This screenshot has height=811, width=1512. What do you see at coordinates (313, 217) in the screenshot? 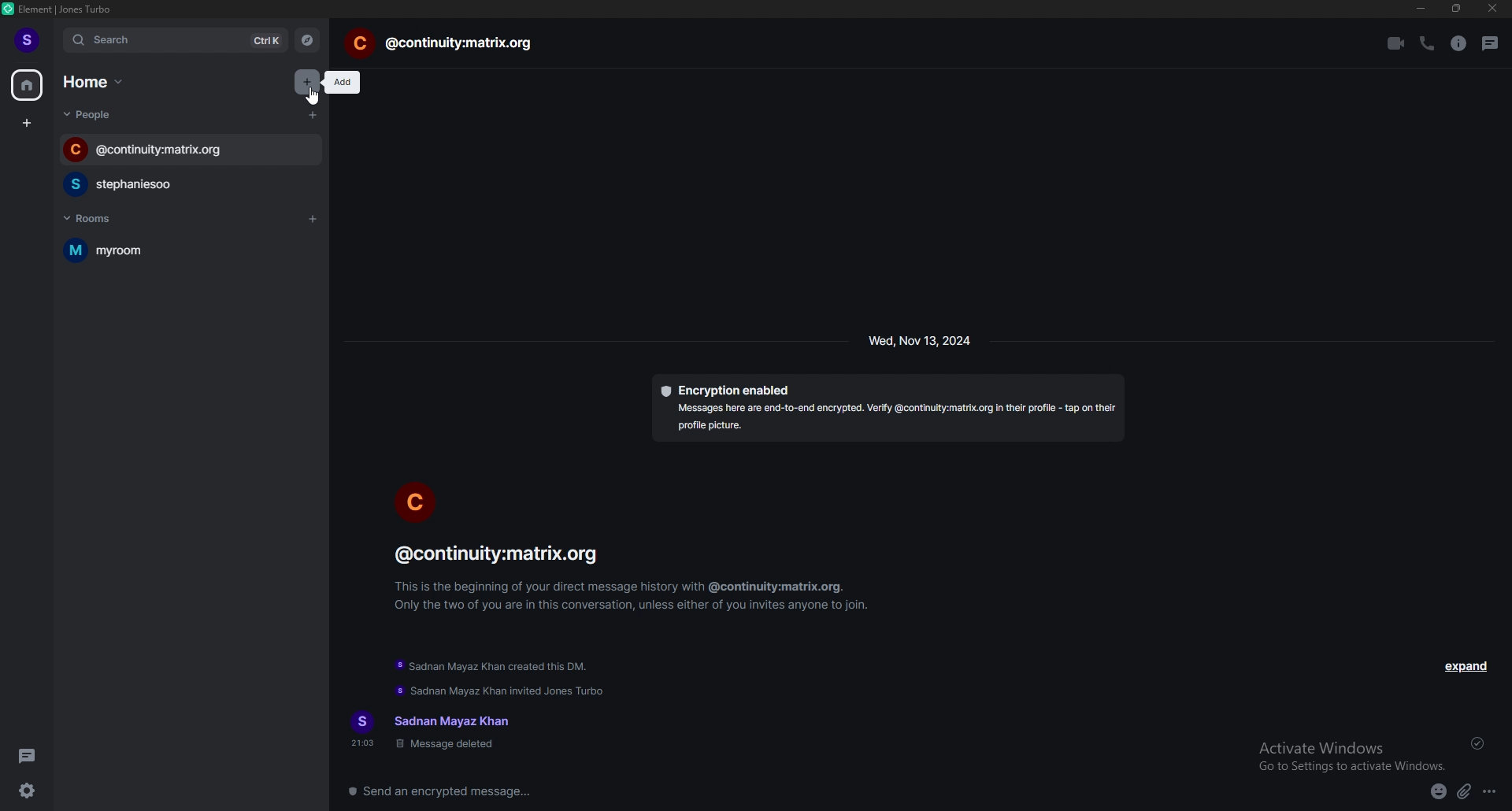
I see `add room` at bounding box center [313, 217].